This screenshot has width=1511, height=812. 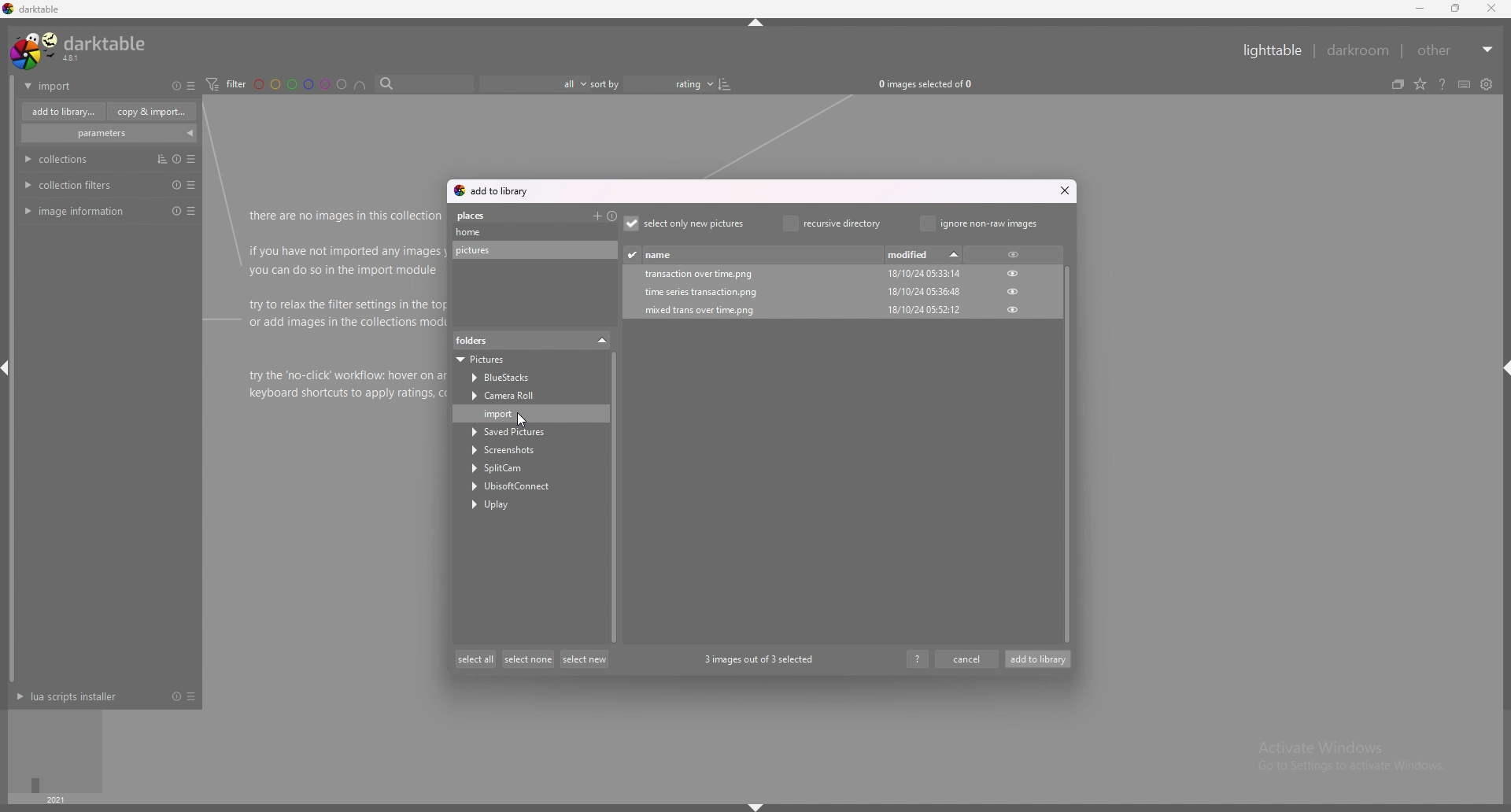 What do you see at coordinates (1486, 84) in the screenshot?
I see `show global preferences` at bounding box center [1486, 84].